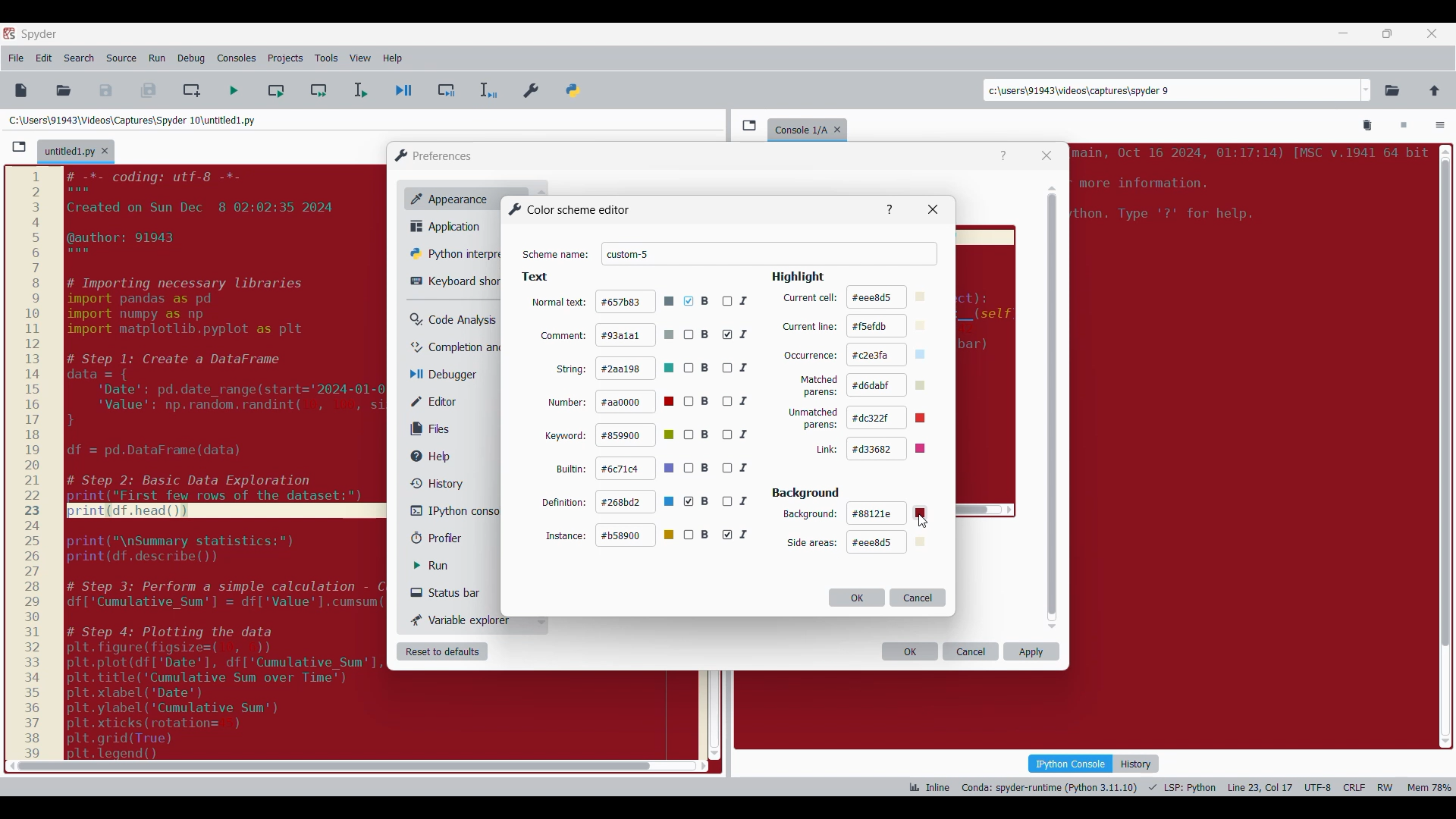 The image size is (1456, 819). I want to click on Setting options under Background, so click(810, 543).